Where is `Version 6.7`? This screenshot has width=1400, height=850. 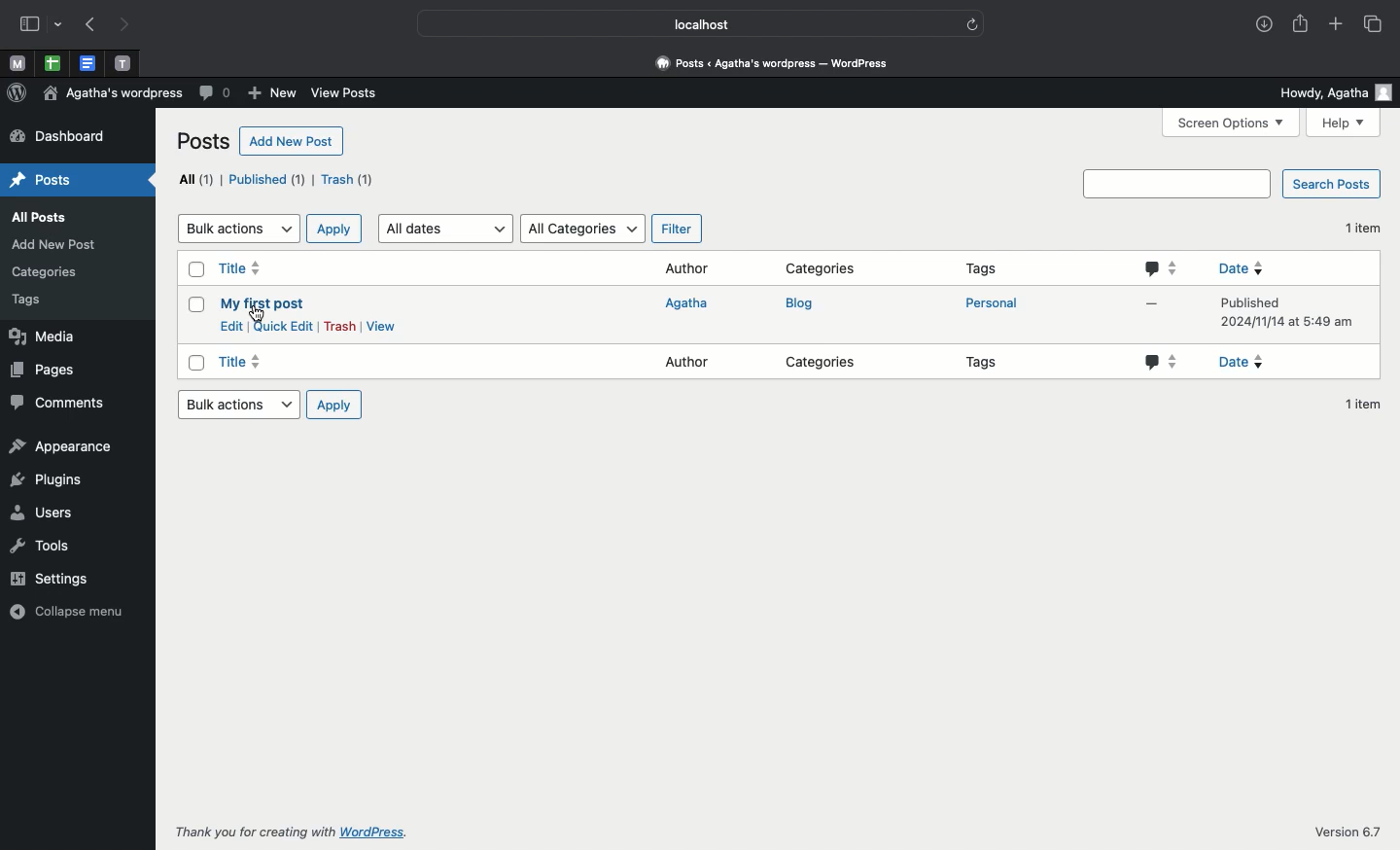
Version 6.7 is located at coordinates (1345, 833).